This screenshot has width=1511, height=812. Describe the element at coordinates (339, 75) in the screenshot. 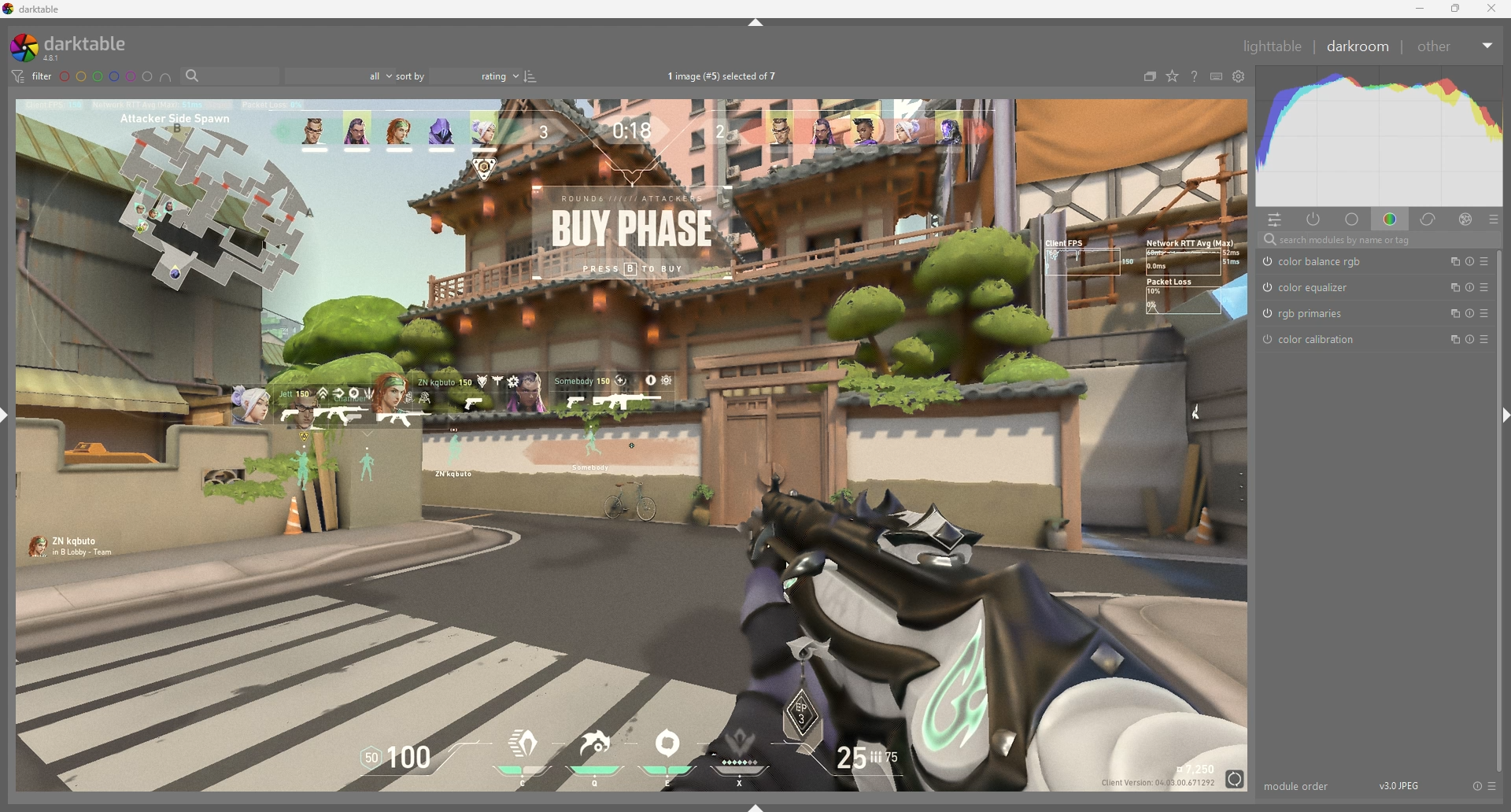

I see `filter by images rating` at that location.